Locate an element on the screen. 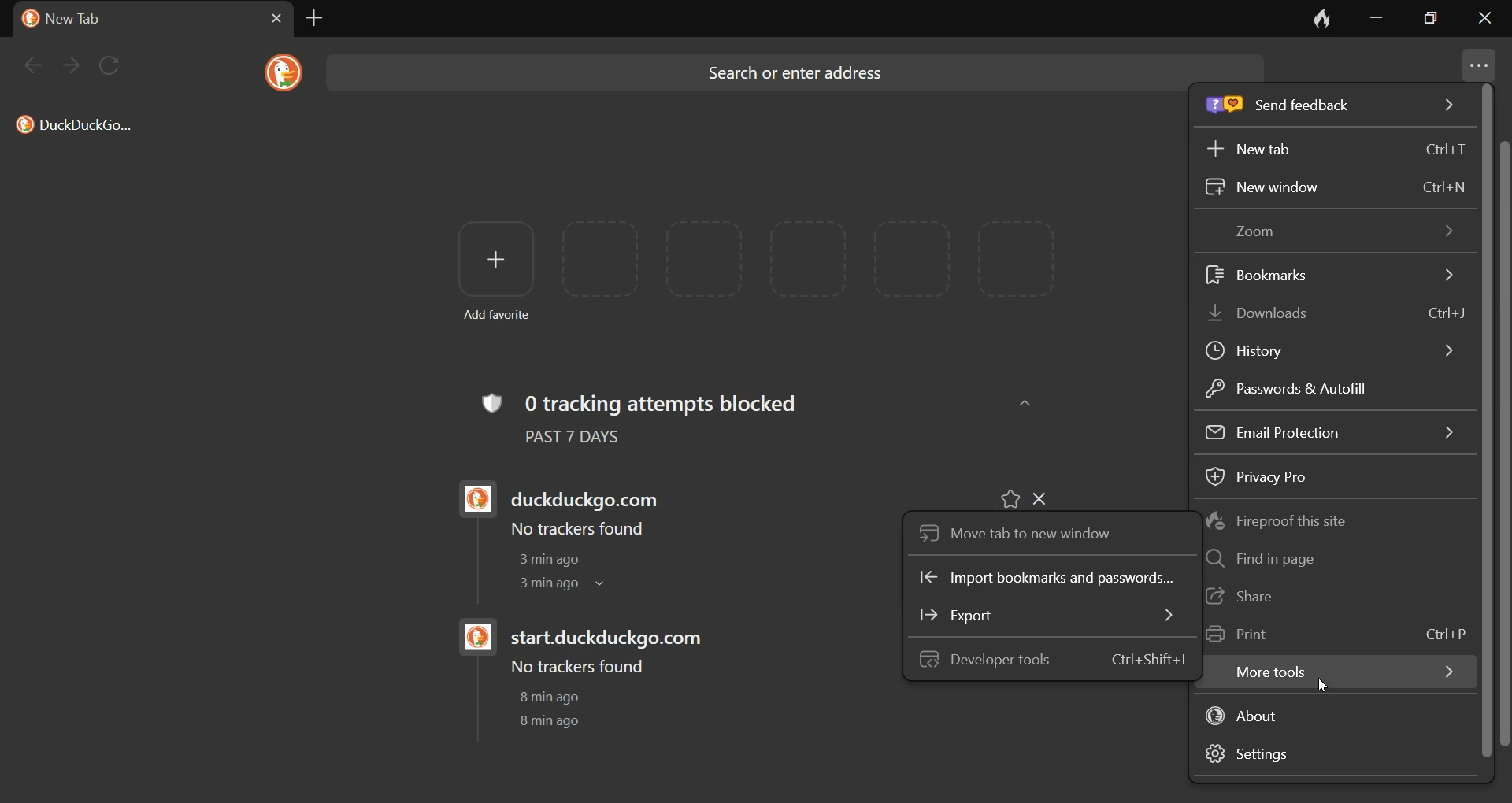  scroll bar is located at coordinates (1503, 442).